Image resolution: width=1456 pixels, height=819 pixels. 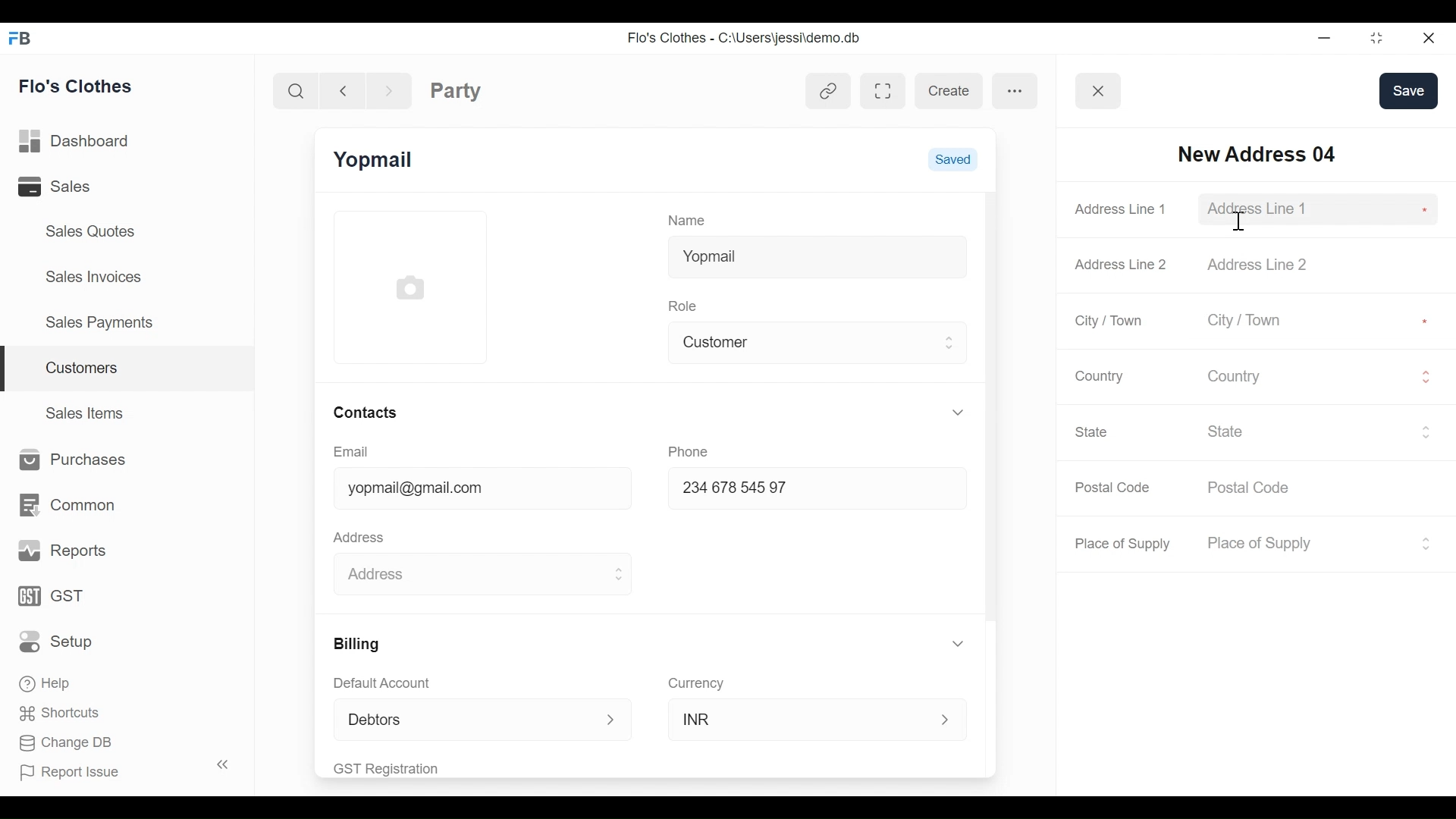 What do you see at coordinates (375, 160) in the screenshot?
I see `Yopmail` at bounding box center [375, 160].